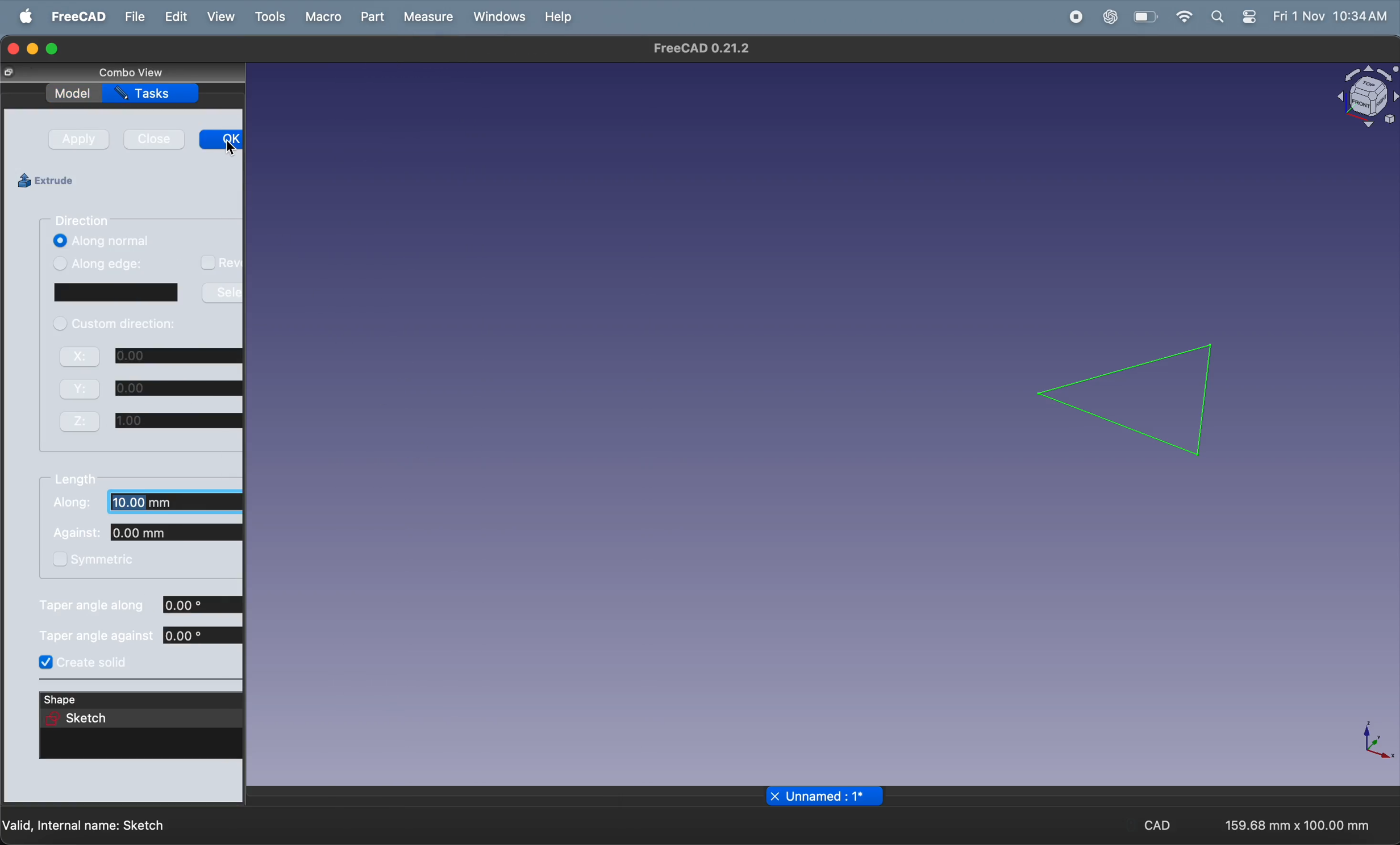 Image resolution: width=1400 pixels, height=845 pixels. I want to click on custom direction, so click(132, 324).